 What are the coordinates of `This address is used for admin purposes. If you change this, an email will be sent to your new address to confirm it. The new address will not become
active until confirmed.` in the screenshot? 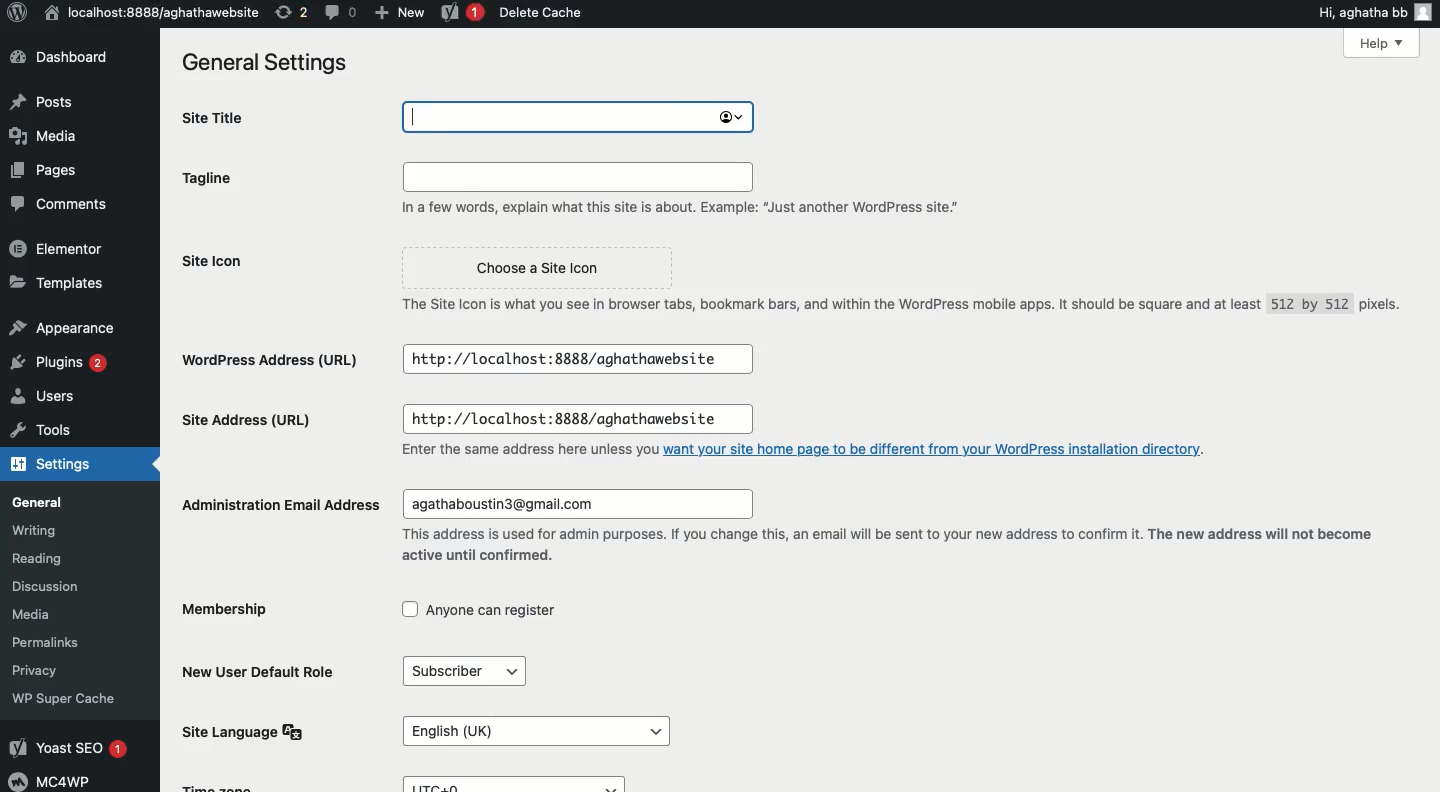 It's located at (884, 548).